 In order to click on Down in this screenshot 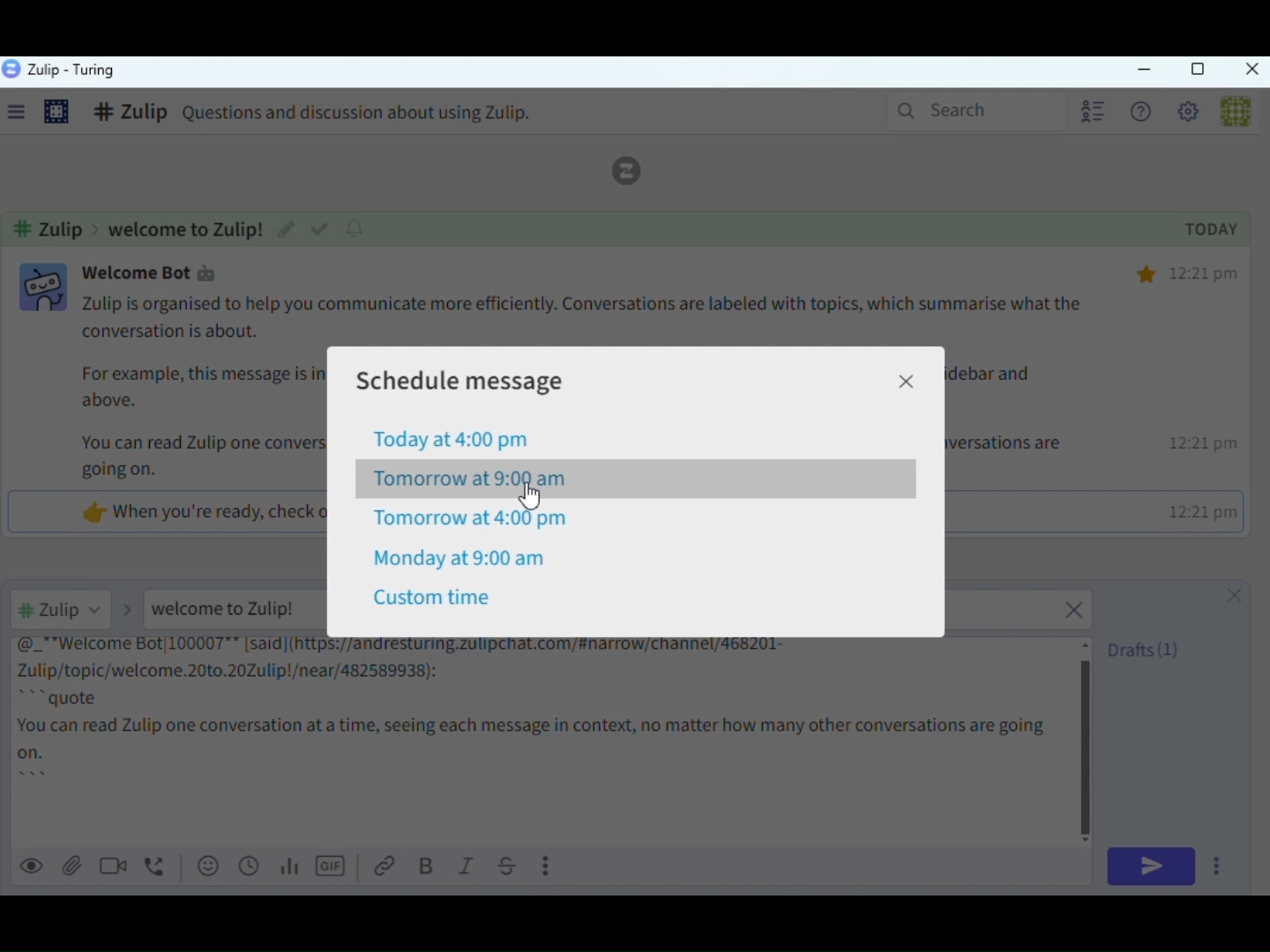, I will do `click(1091, 837)`.